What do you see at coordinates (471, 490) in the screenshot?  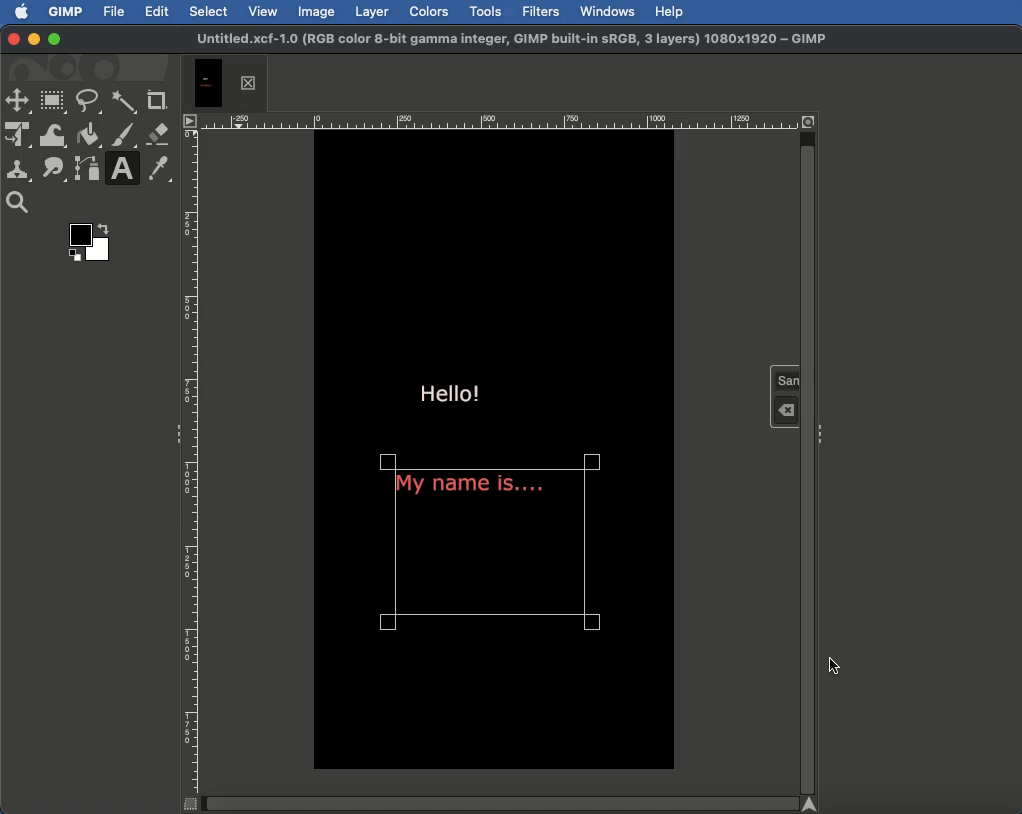 I see `My name is...` at bounding box center [471, 490].